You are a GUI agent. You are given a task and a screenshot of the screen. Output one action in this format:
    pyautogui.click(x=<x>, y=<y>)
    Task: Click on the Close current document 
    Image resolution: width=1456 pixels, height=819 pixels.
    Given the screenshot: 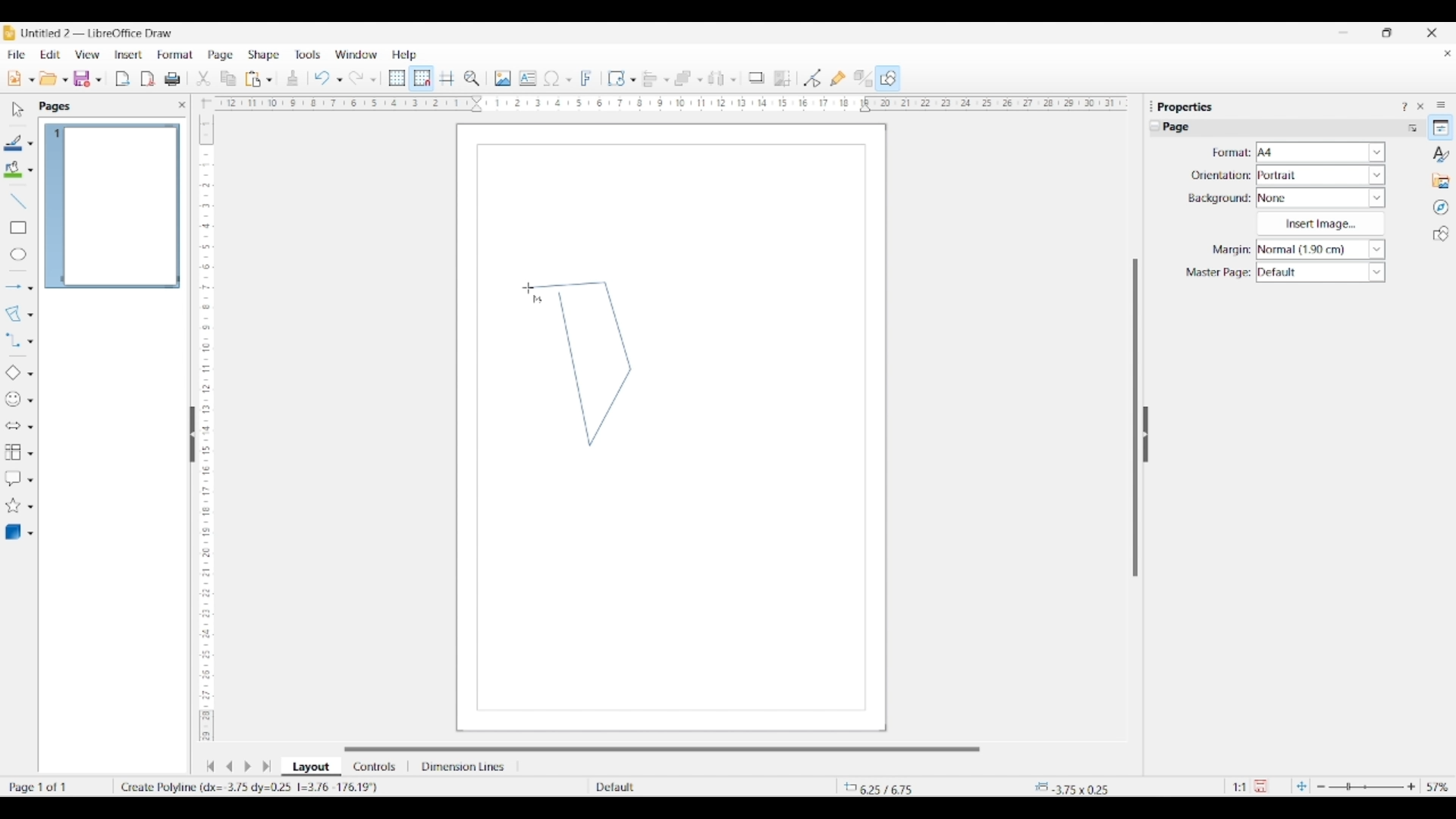 What is the action you would take?
    pyautogui.click(x=1447, y=54)
    